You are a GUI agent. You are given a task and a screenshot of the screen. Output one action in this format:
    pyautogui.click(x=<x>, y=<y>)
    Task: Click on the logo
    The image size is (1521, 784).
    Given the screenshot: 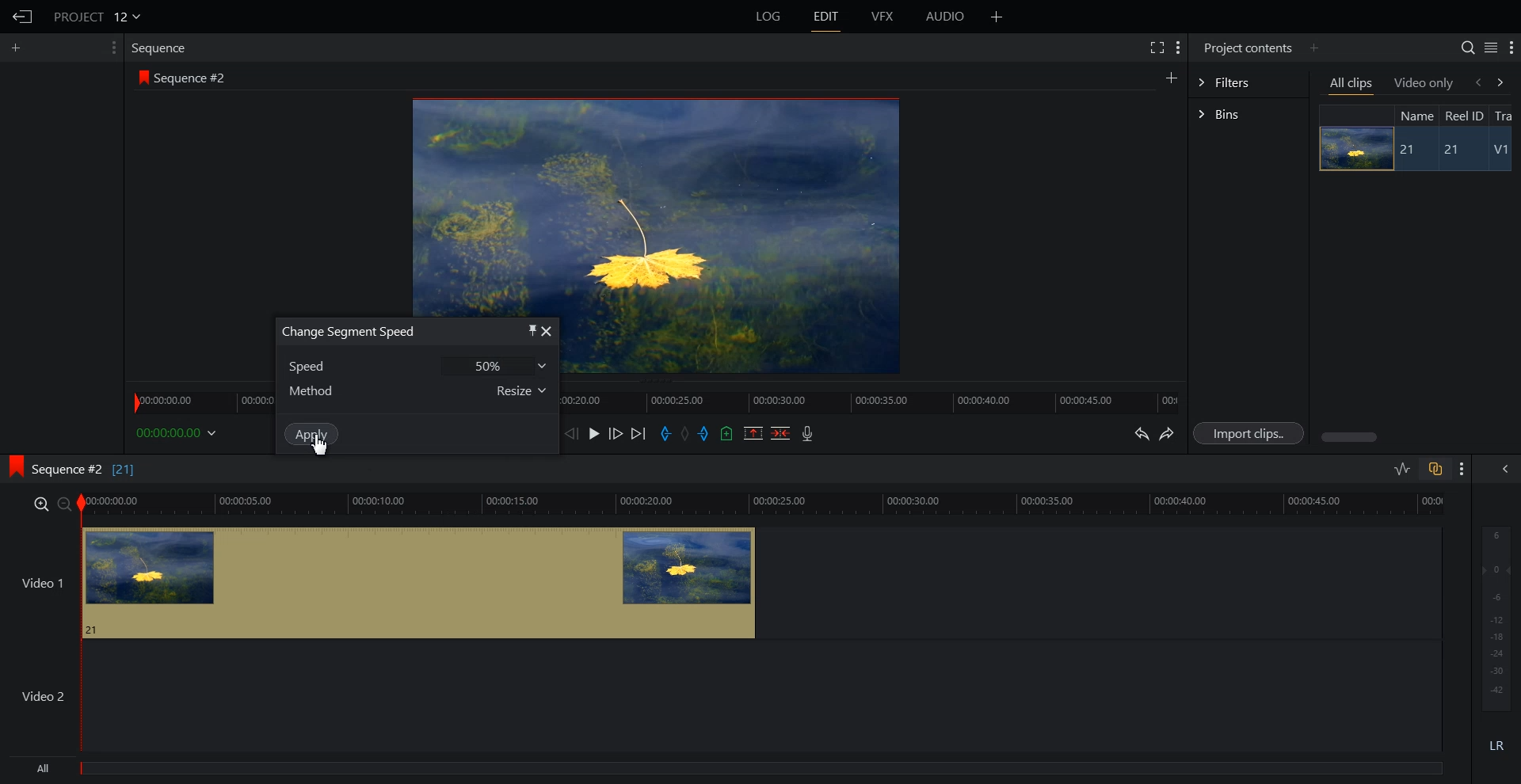 What is the action you would take?
    pyautogui.click(x=140, y=77)
    